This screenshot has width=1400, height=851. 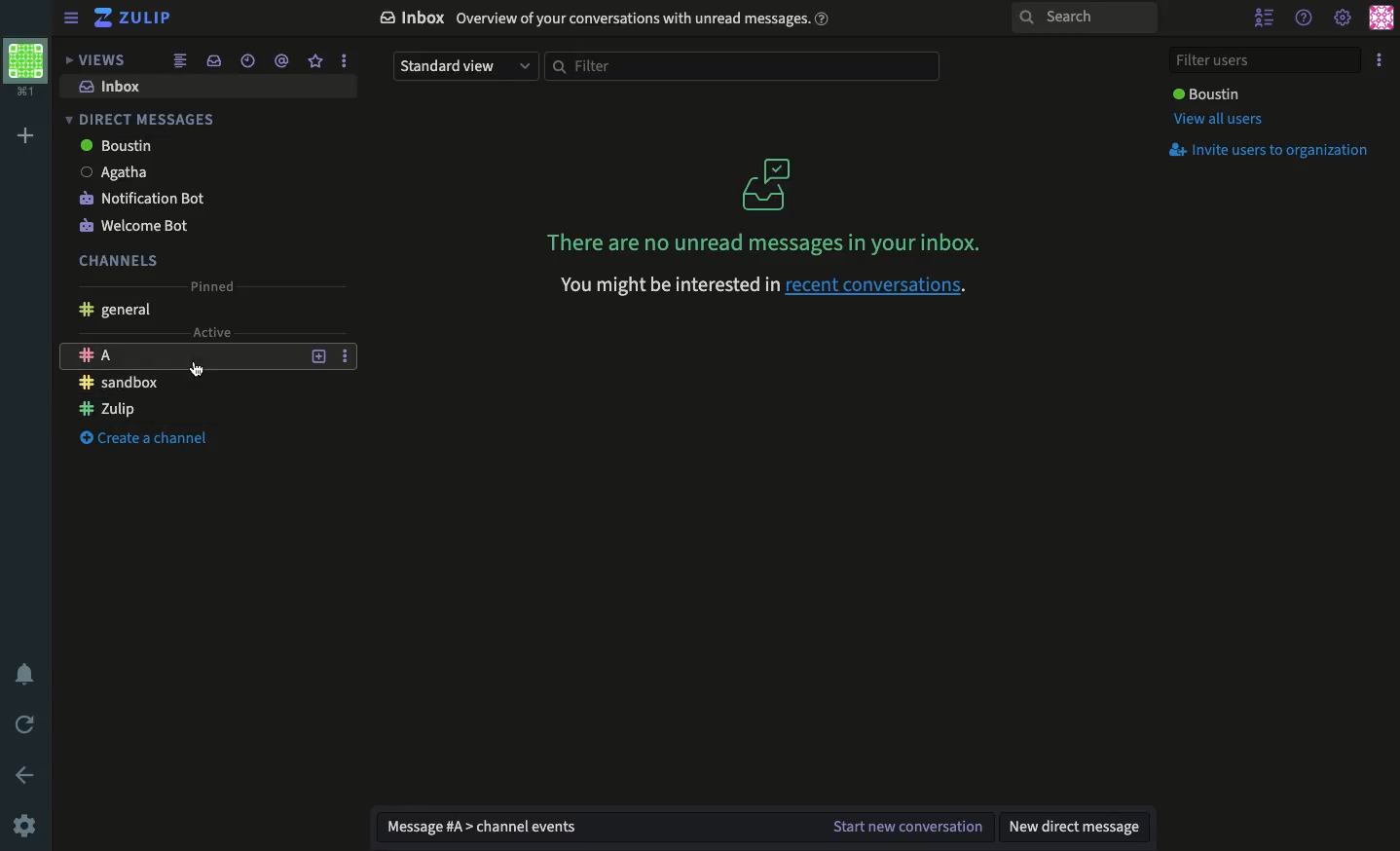 I want to click on start new conversation, so click(x=905, y=828).